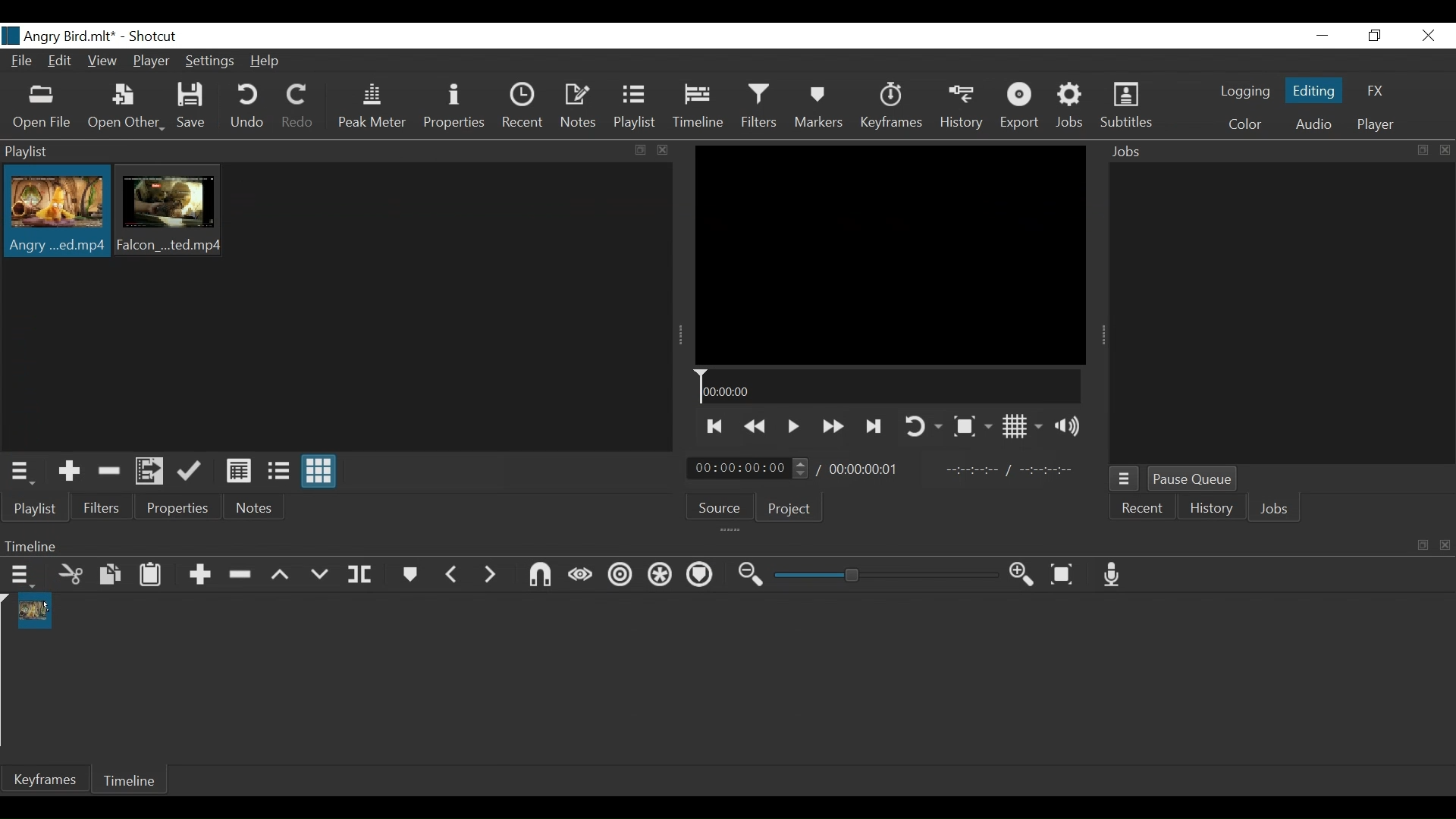  What do you see at coordinates (152, 37) in the screenshot?
I see `Shotcut` at bounding box center [152, 37].